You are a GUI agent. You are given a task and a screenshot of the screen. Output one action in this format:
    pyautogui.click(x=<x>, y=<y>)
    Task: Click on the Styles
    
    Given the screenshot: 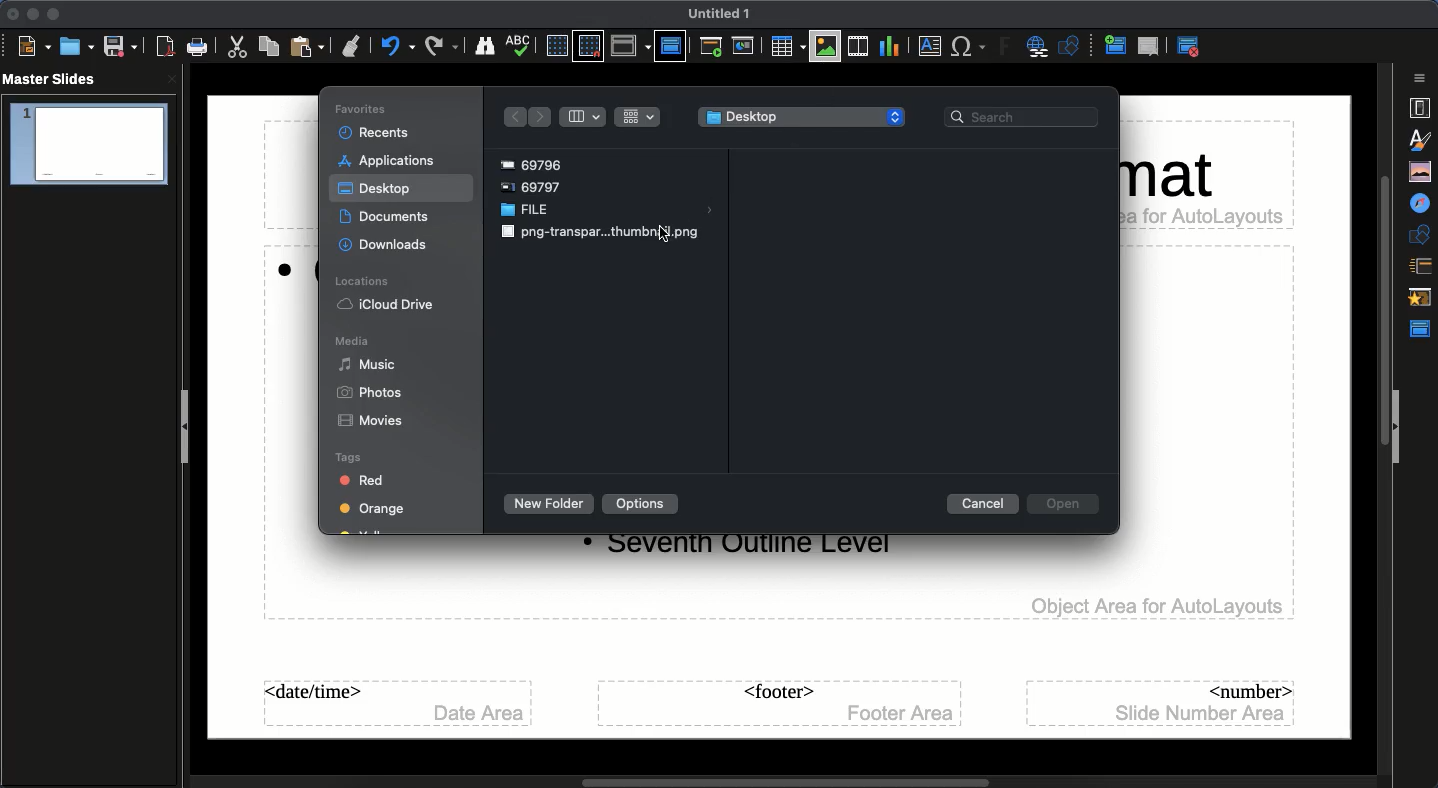 What is the action you would take?
    pyautogui.click(x=1424, y=139)
    